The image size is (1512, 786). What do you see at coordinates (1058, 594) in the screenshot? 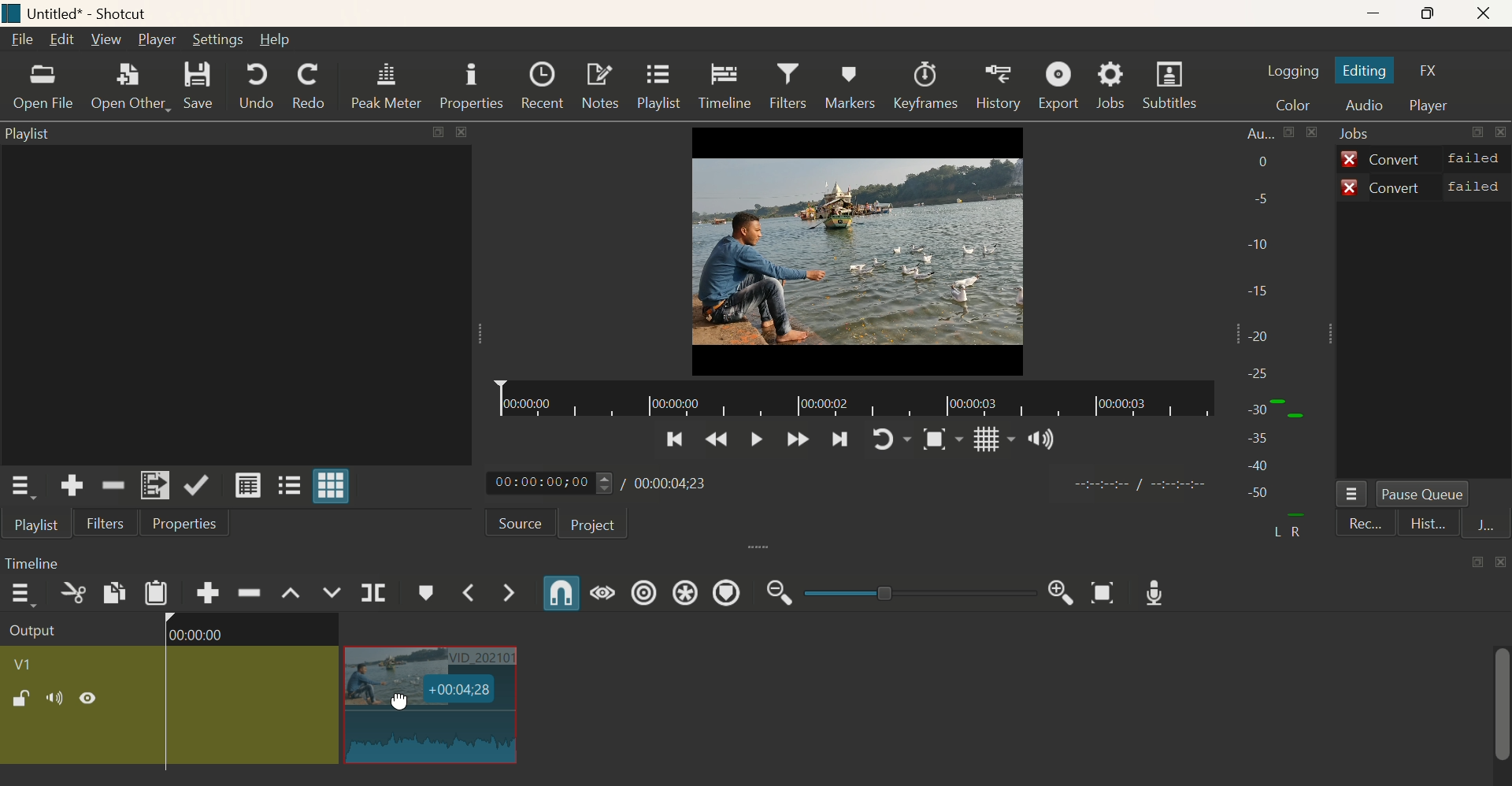
I see `` at bounding box center [1058, 594].